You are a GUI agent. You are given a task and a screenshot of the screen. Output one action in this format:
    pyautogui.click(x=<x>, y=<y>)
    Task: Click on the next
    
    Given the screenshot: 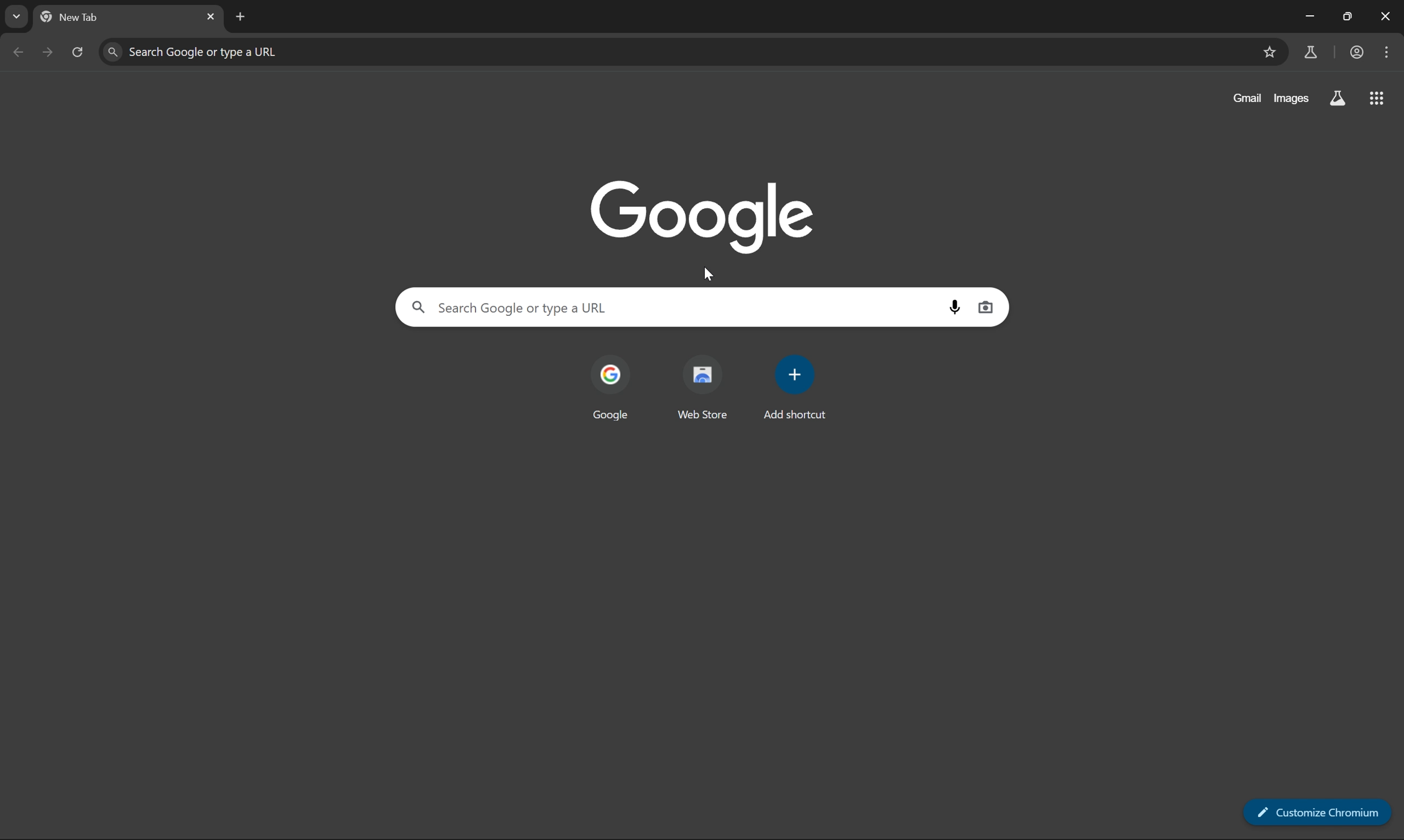 What is the action you would take?
    pyautogui.click(x=48, y=52)
    